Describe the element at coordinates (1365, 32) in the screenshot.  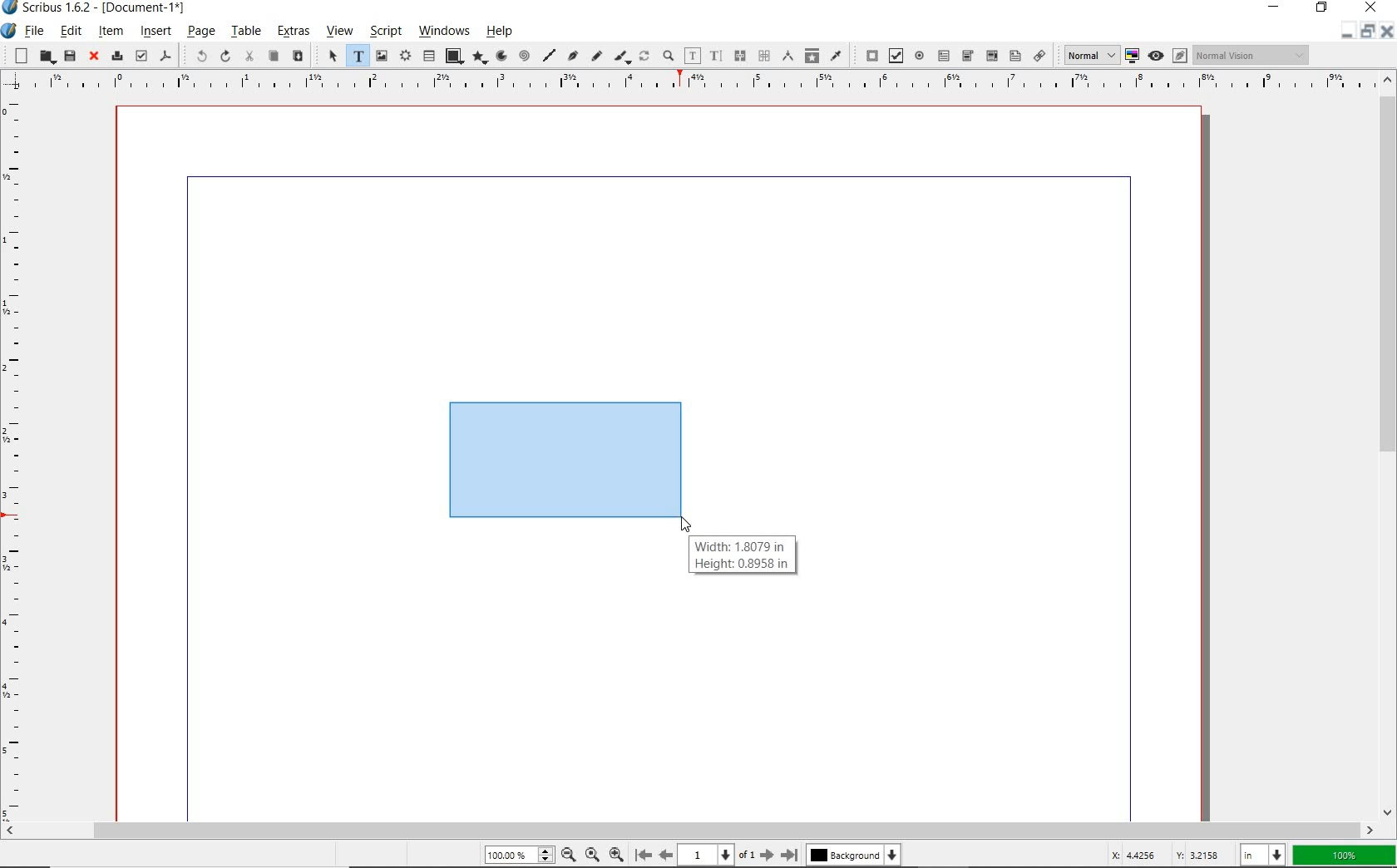
I see `minimize` at that location.